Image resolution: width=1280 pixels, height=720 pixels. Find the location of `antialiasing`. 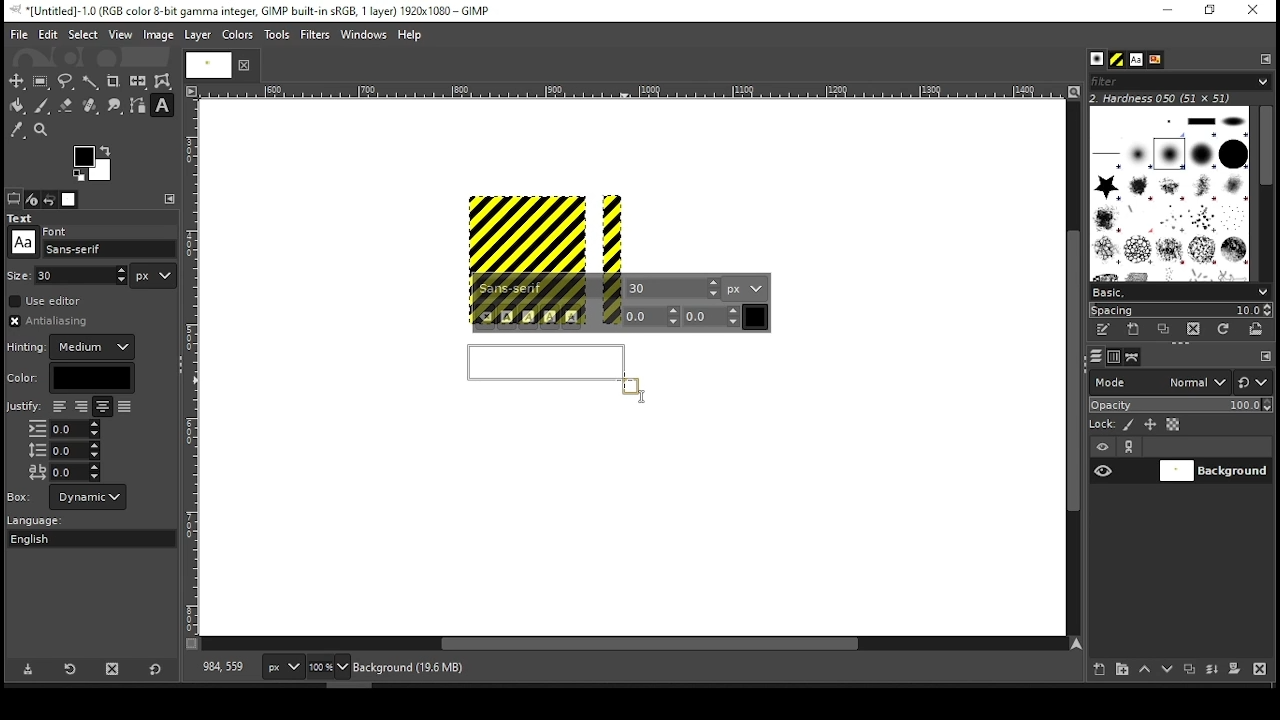

antialiasing is located at coordinates (54, 321).